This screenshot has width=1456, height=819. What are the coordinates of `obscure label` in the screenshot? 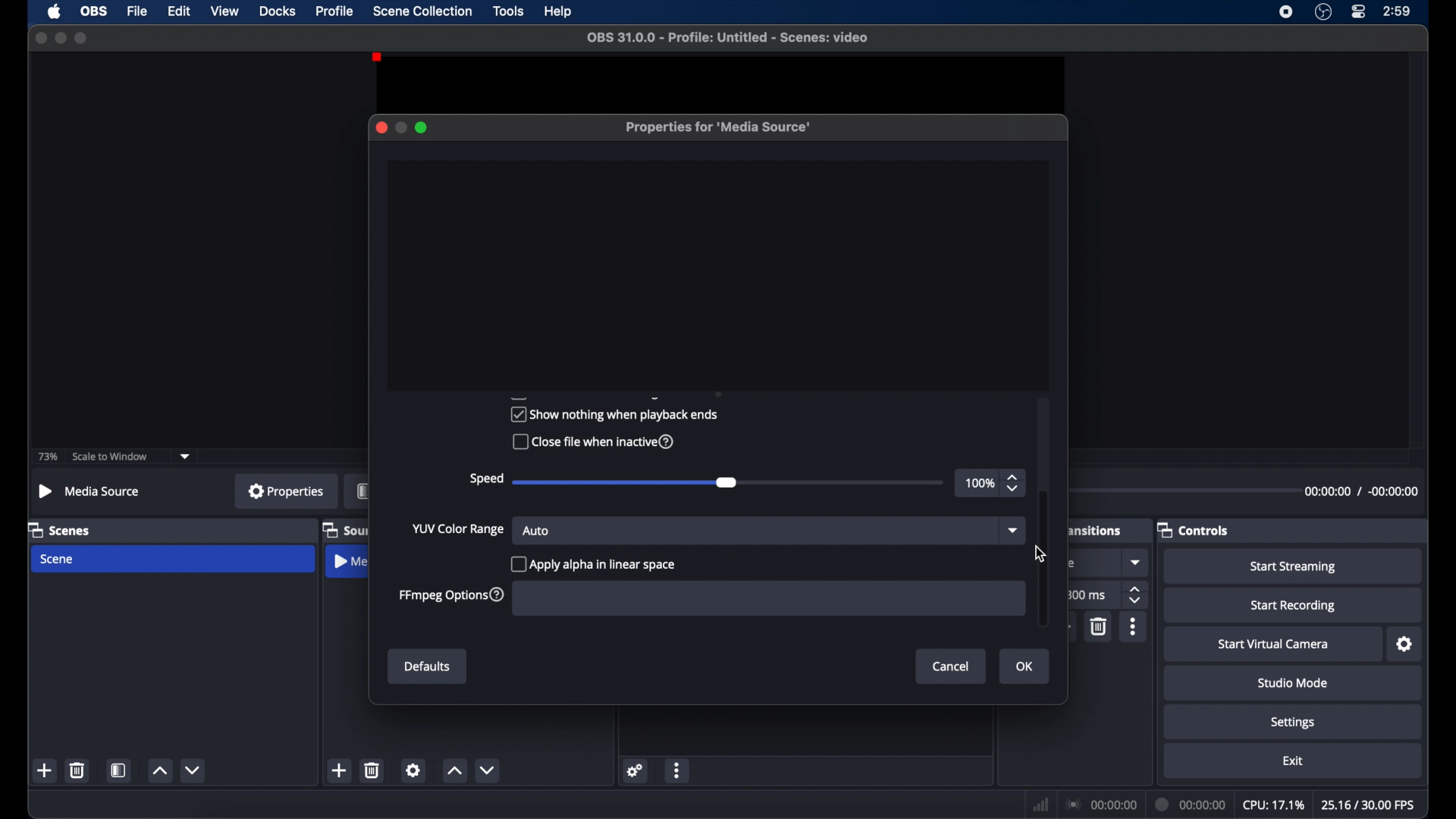 It's located at (344, 529).